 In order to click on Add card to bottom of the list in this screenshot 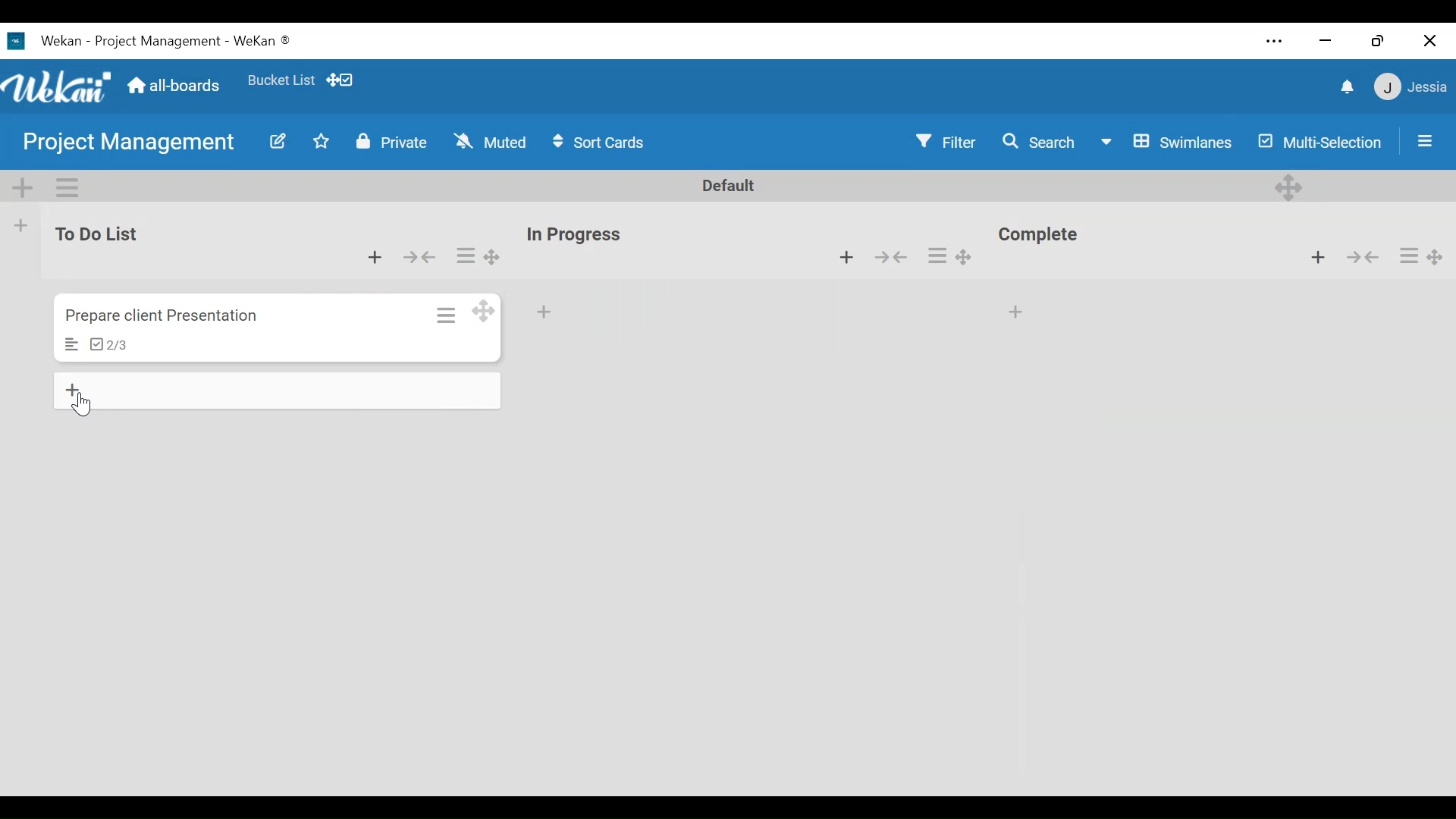, I will do `click(279, 388)`.